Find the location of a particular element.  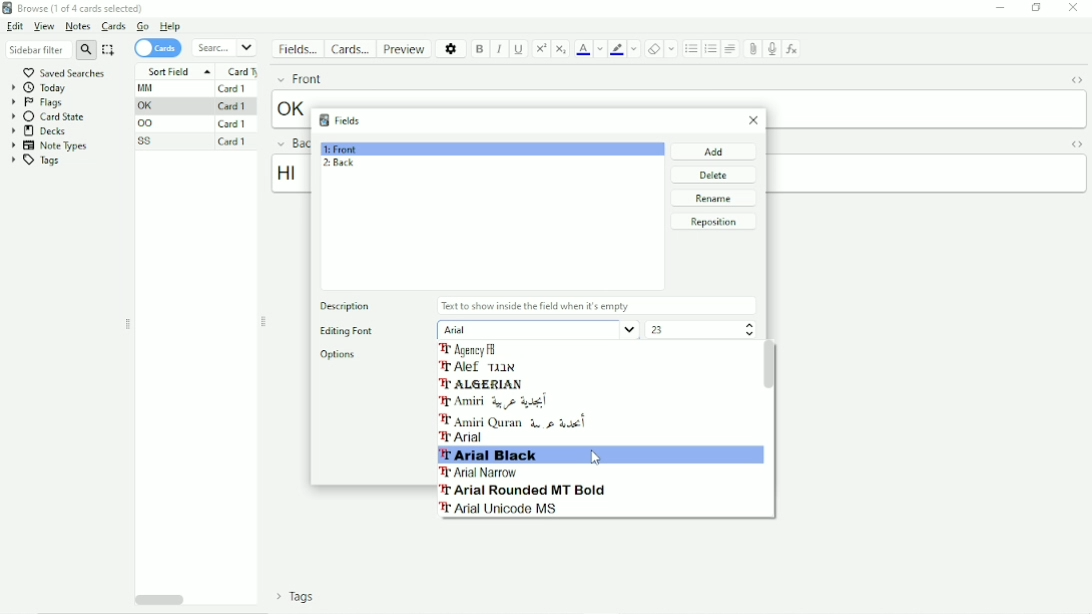

Card type is located at coordinates (243, 71).